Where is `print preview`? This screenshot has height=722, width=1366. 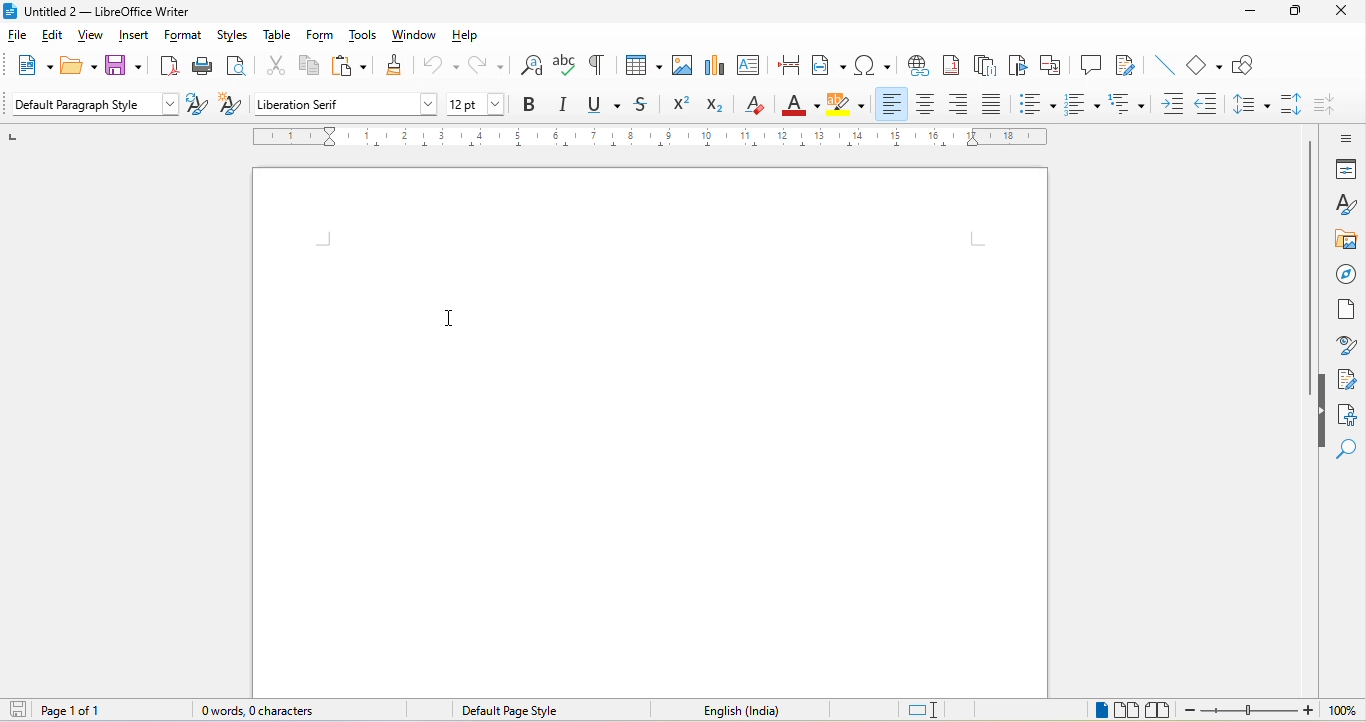
print preview is located at coordinates (238, 68).